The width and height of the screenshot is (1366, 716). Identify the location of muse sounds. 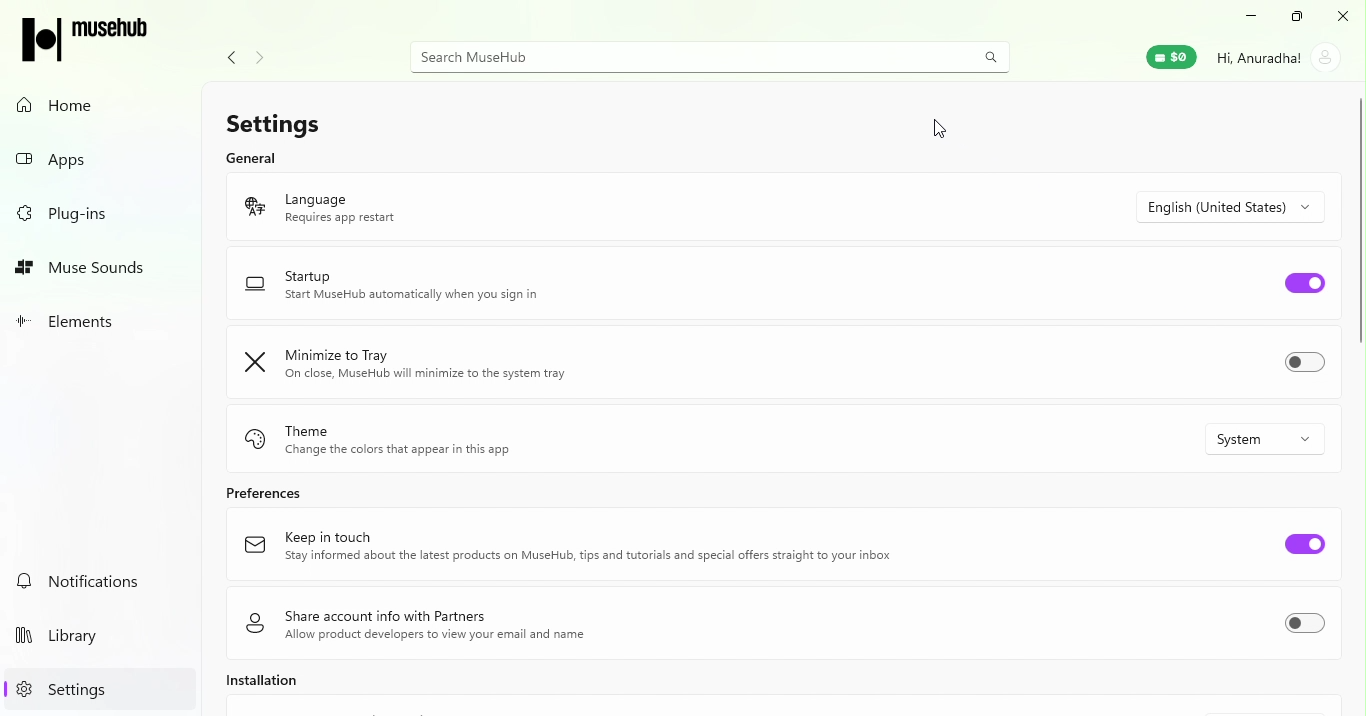
(86, 270).